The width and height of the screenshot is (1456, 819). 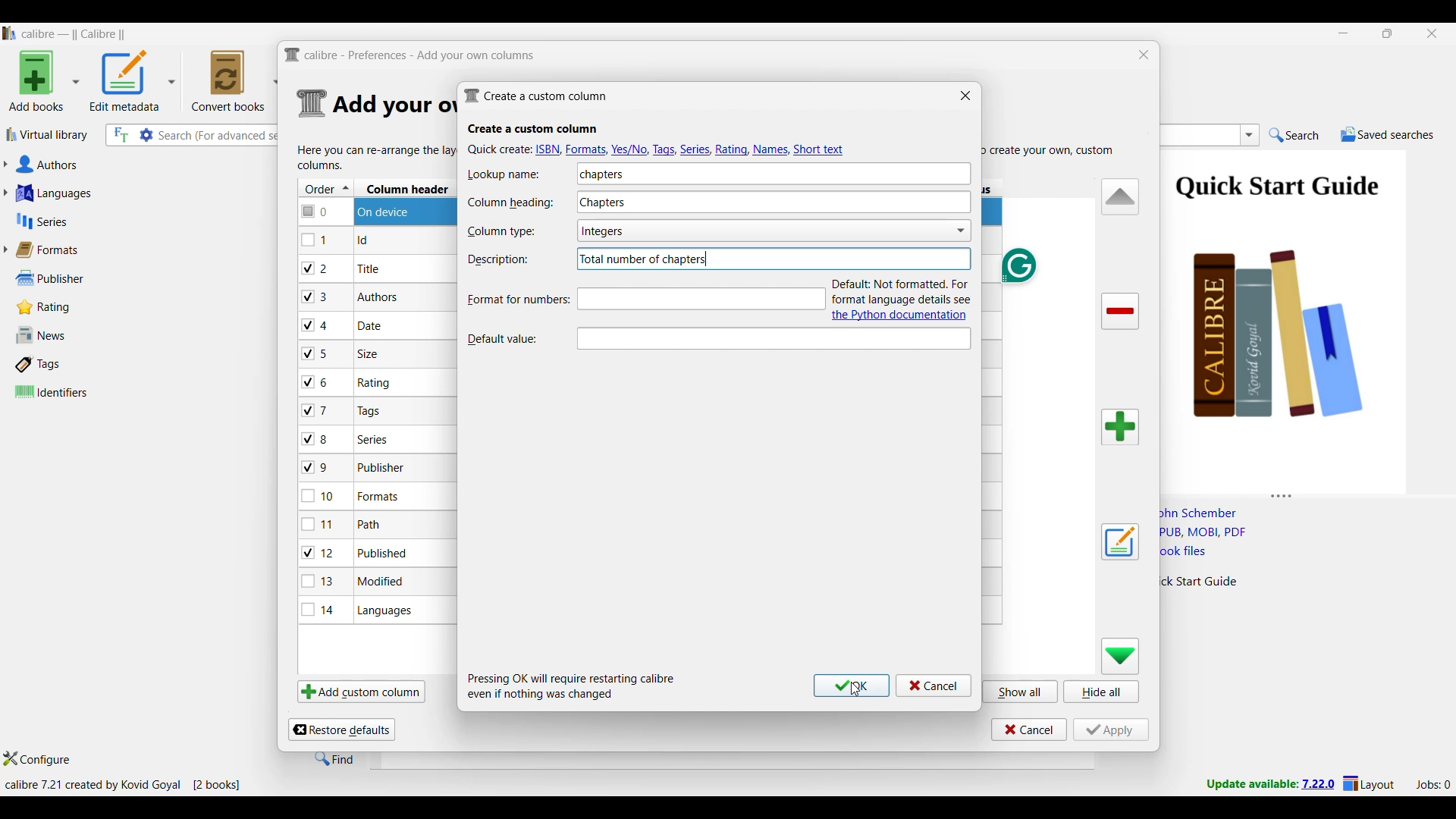 What do you see at coordinates (599, 174) in the screenshot?
I see `Lookup name typed in` at bounding box center [599, 174].